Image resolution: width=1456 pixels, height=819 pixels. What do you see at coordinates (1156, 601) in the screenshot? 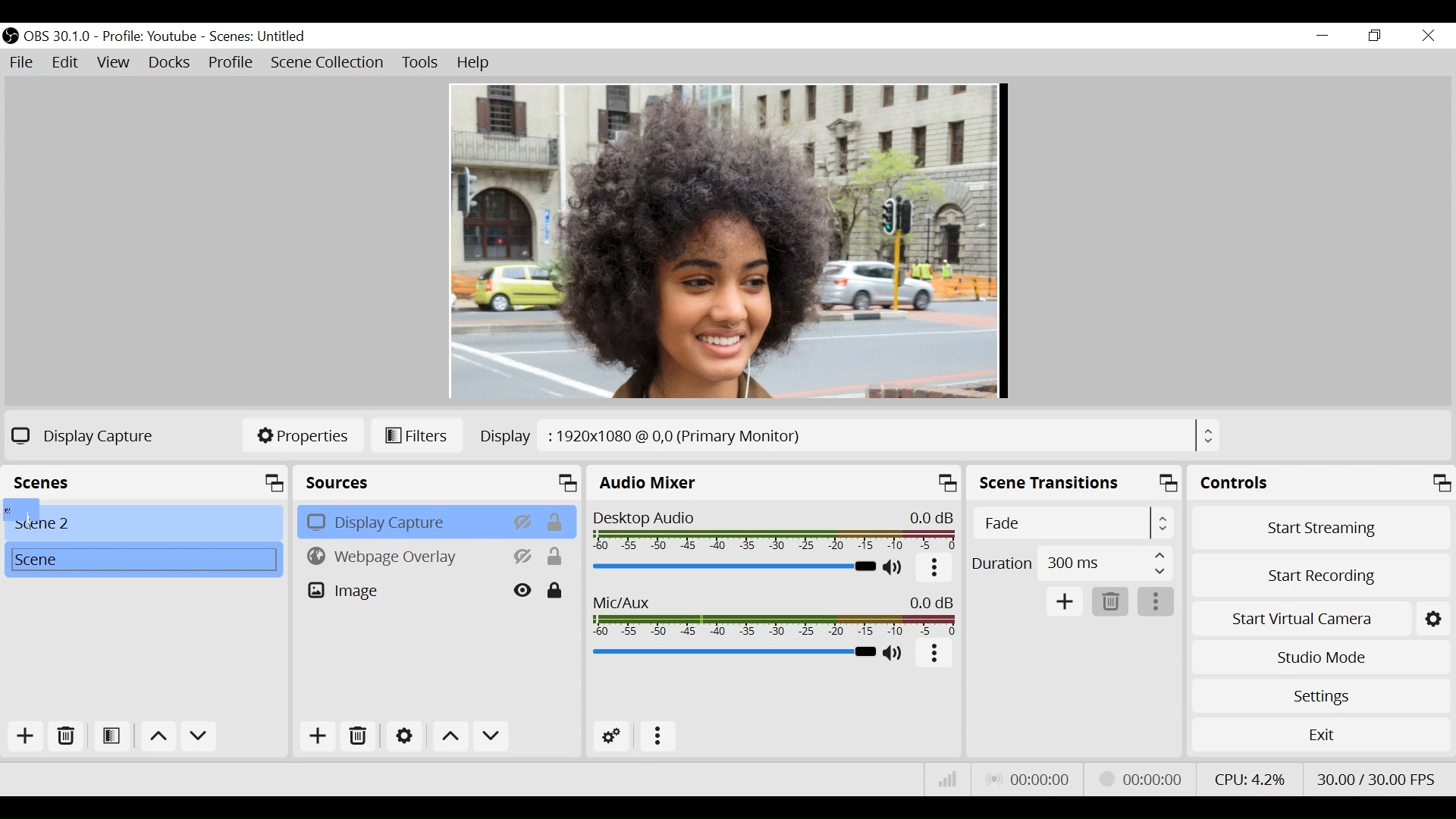
I see `more options` at bounding box center [1156, 601].